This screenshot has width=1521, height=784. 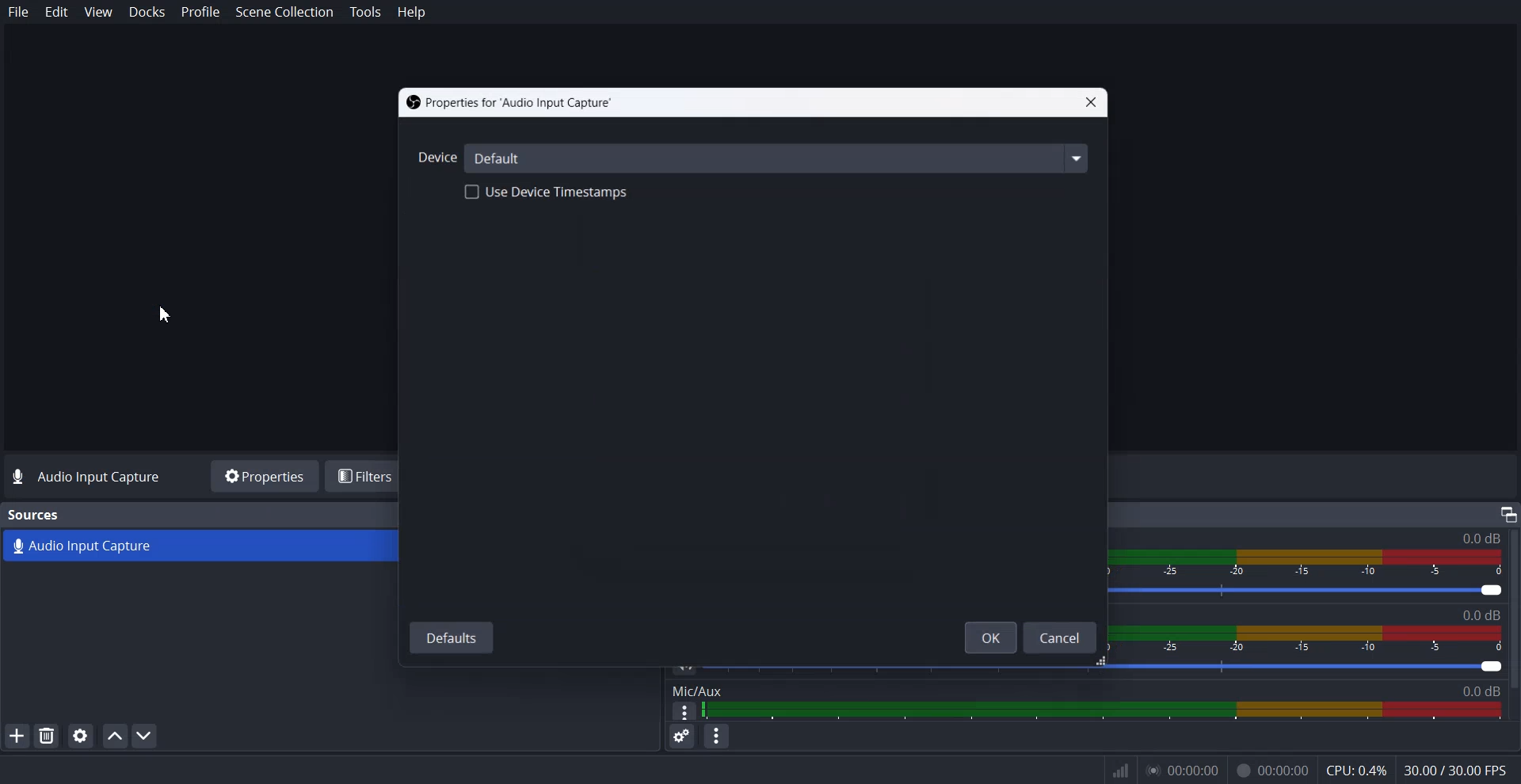 I want to click on Advance audio properties, so click(x=681, y=736).